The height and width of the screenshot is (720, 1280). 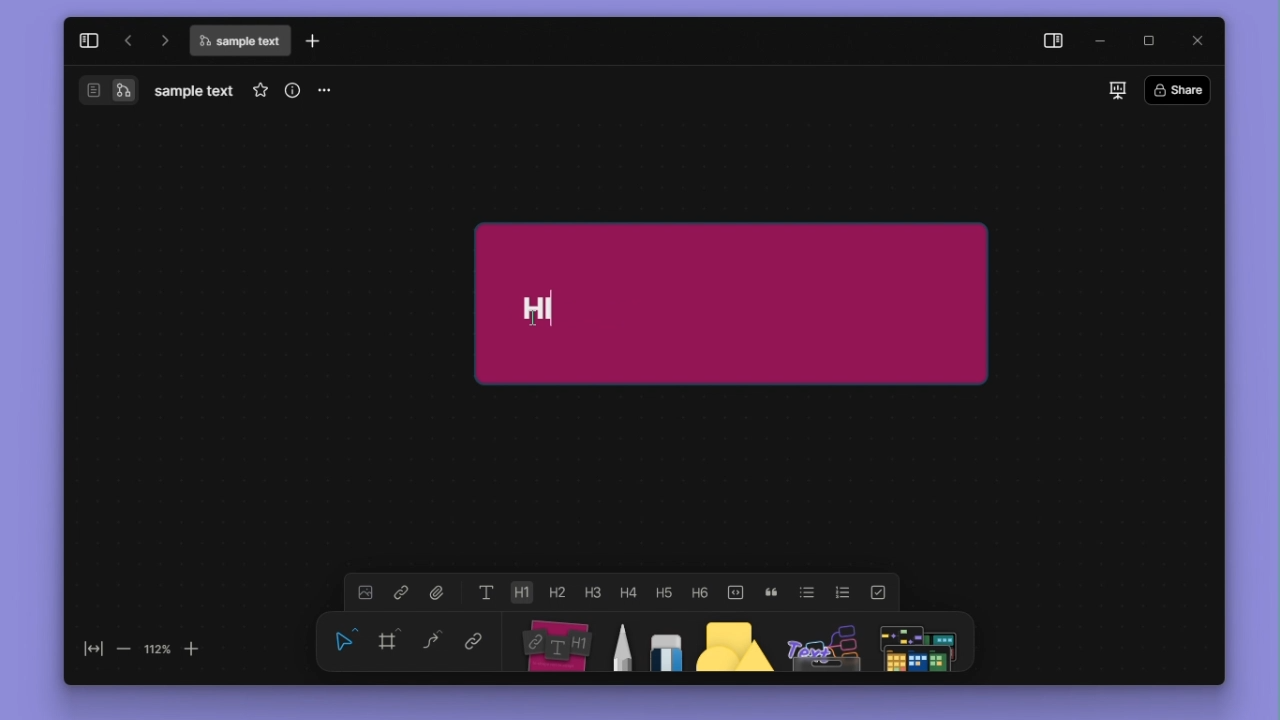 What do you see at coordinates (89, 41) in the screenshot?
I see `collapse sidebar` at bounding box center [89, 41].